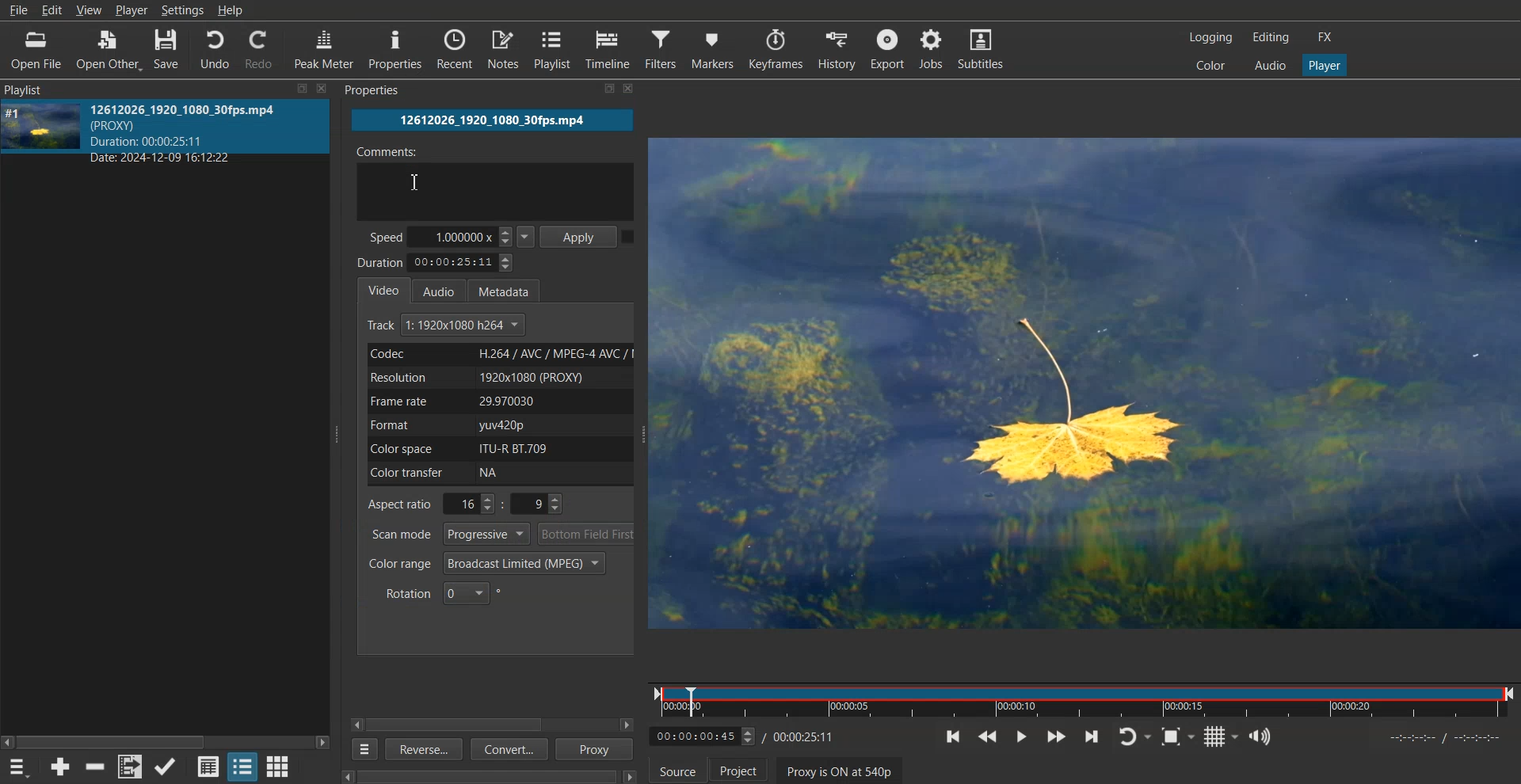 This screenshot has width=1521, height=784. What do you see at coordinates (609, 49) in the screenshot?
I see `Timeline` at bounding box center [609, 49].